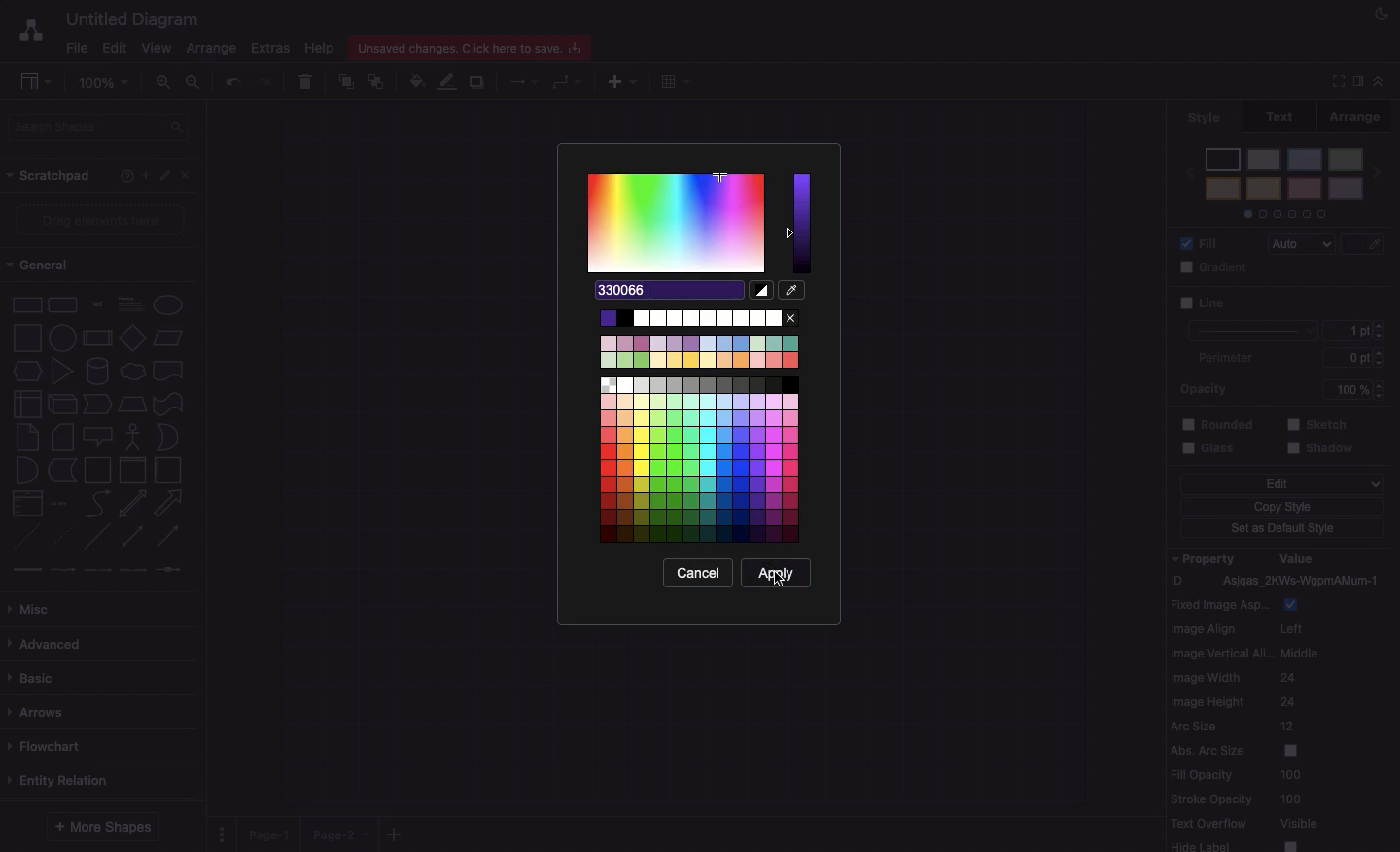 This screenshot has width=1400, height=852. I want to click on To front , so click(345, 79).